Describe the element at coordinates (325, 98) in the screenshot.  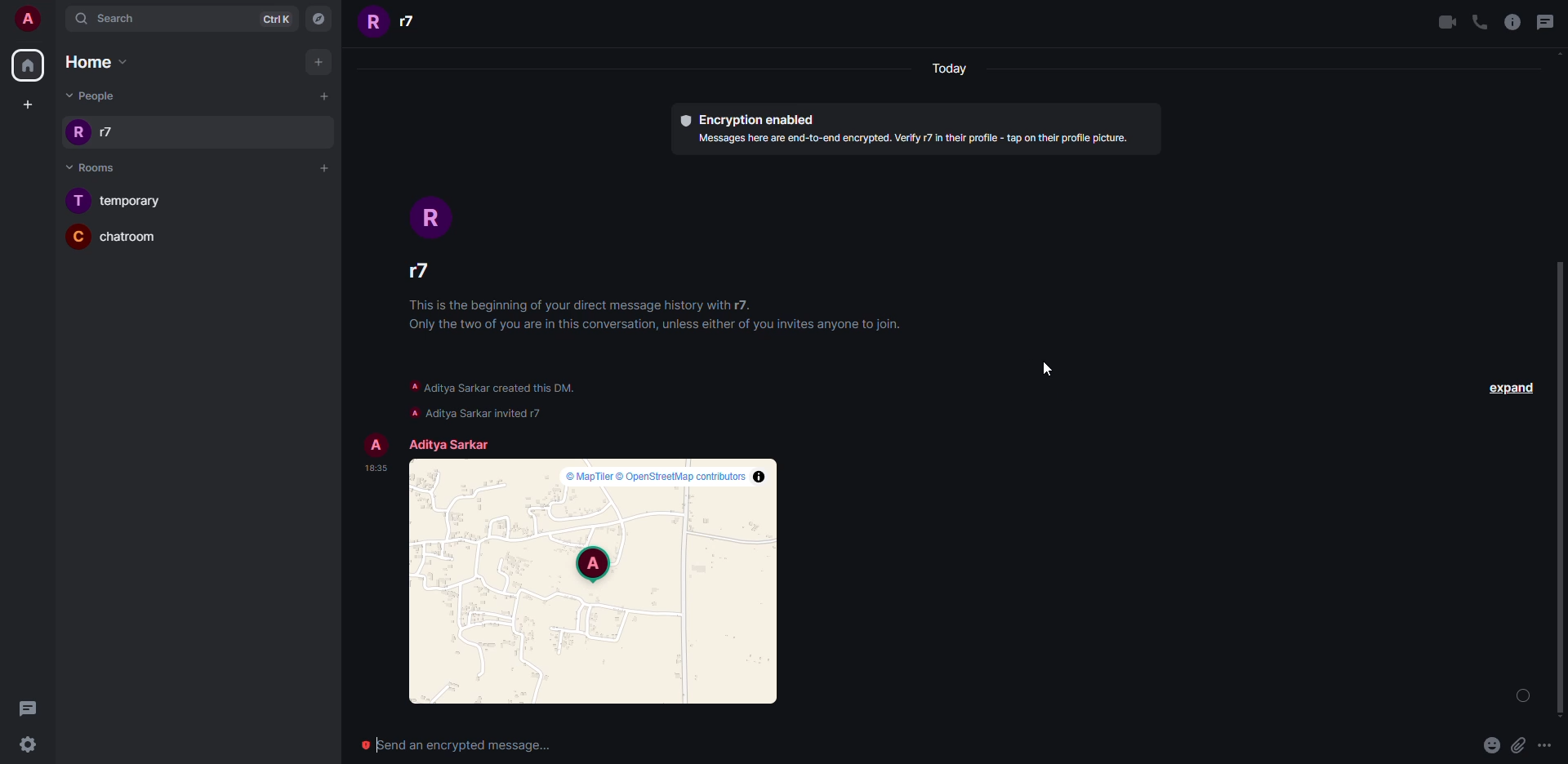
I see `Add people` at that location.